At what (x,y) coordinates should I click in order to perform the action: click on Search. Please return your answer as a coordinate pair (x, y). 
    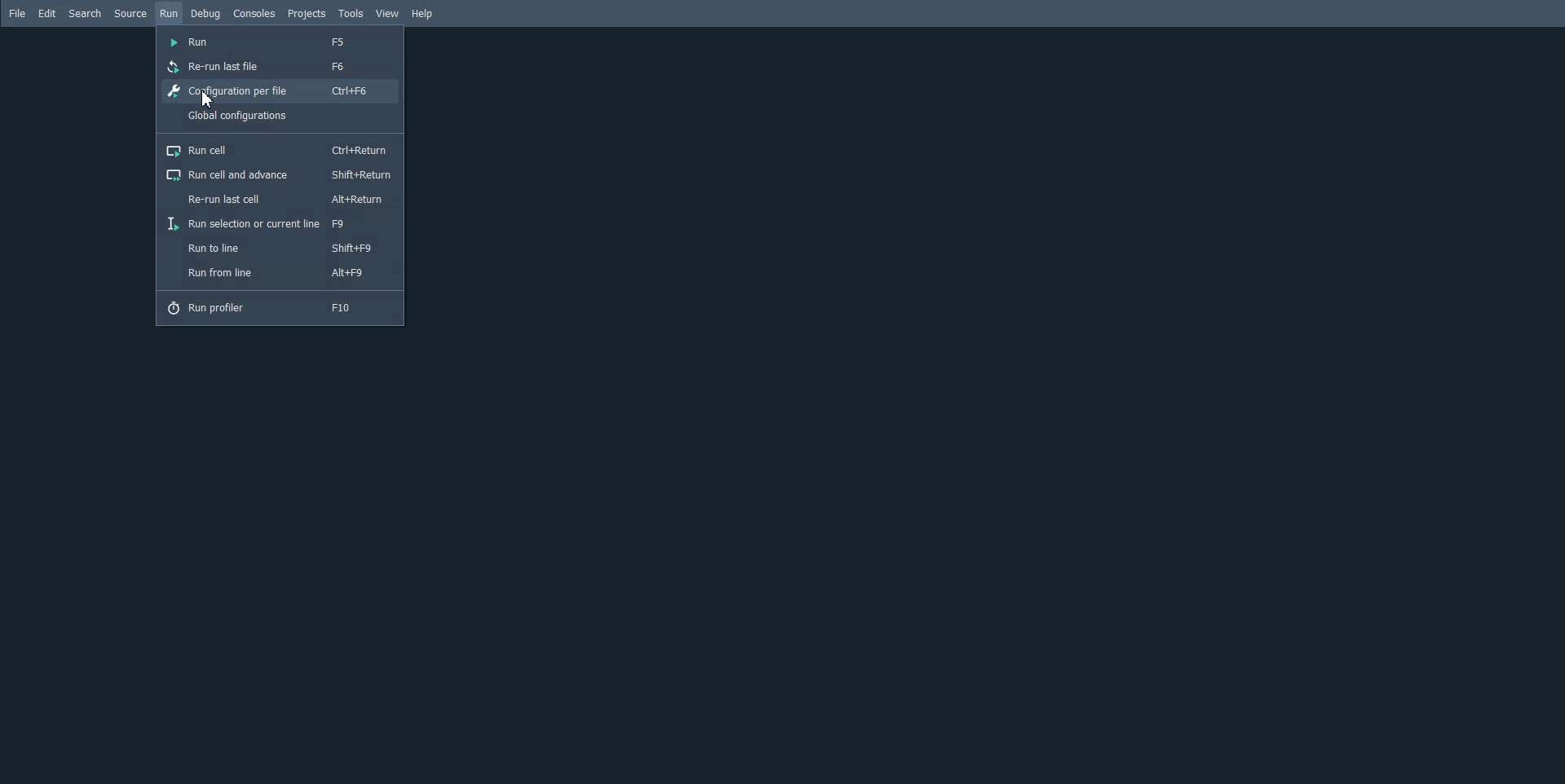
    Looking at the image, I should click on (85, 14).